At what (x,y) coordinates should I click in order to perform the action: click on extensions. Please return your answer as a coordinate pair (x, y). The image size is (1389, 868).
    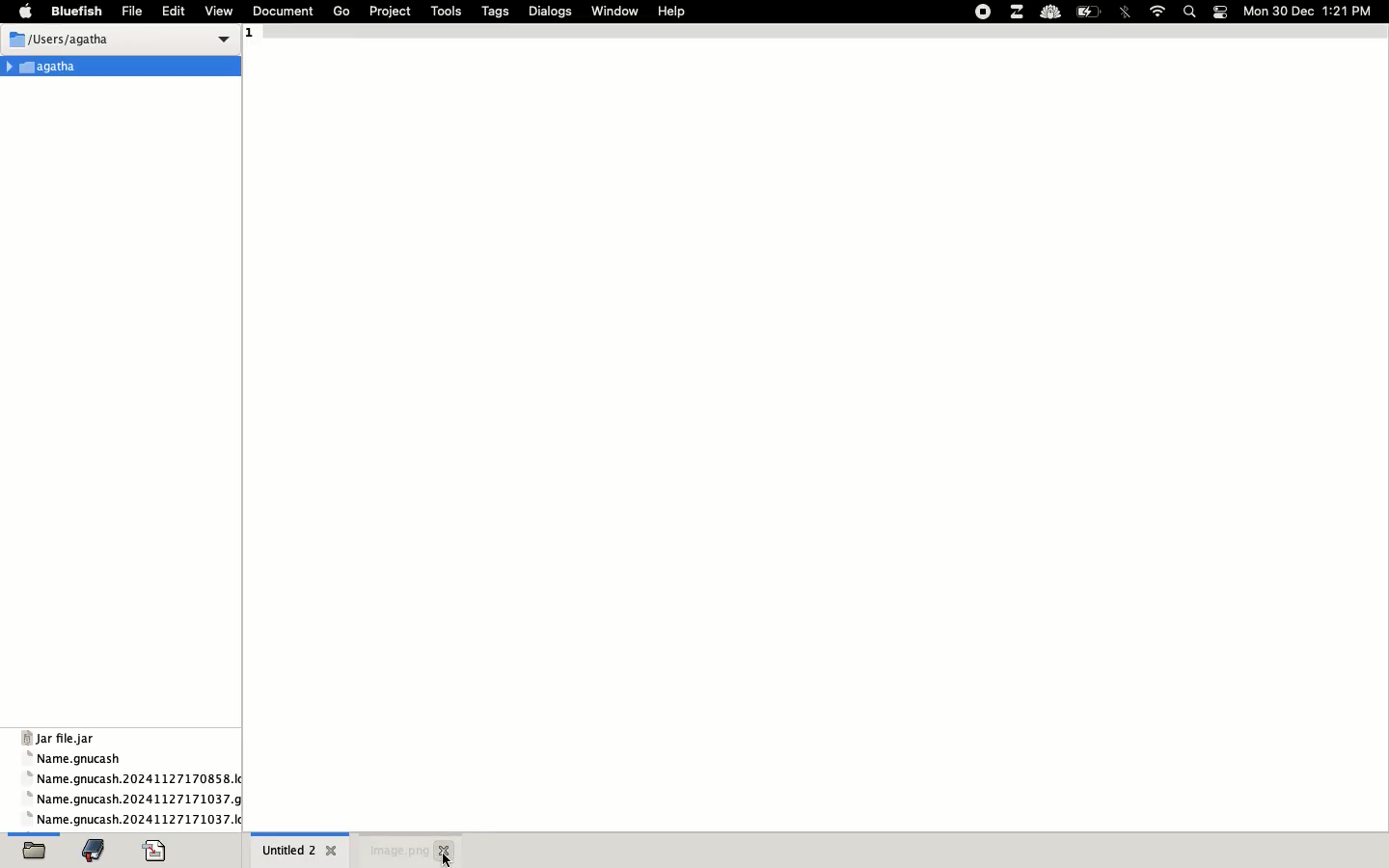
    Looking at the image, I should click on (1019, 12).